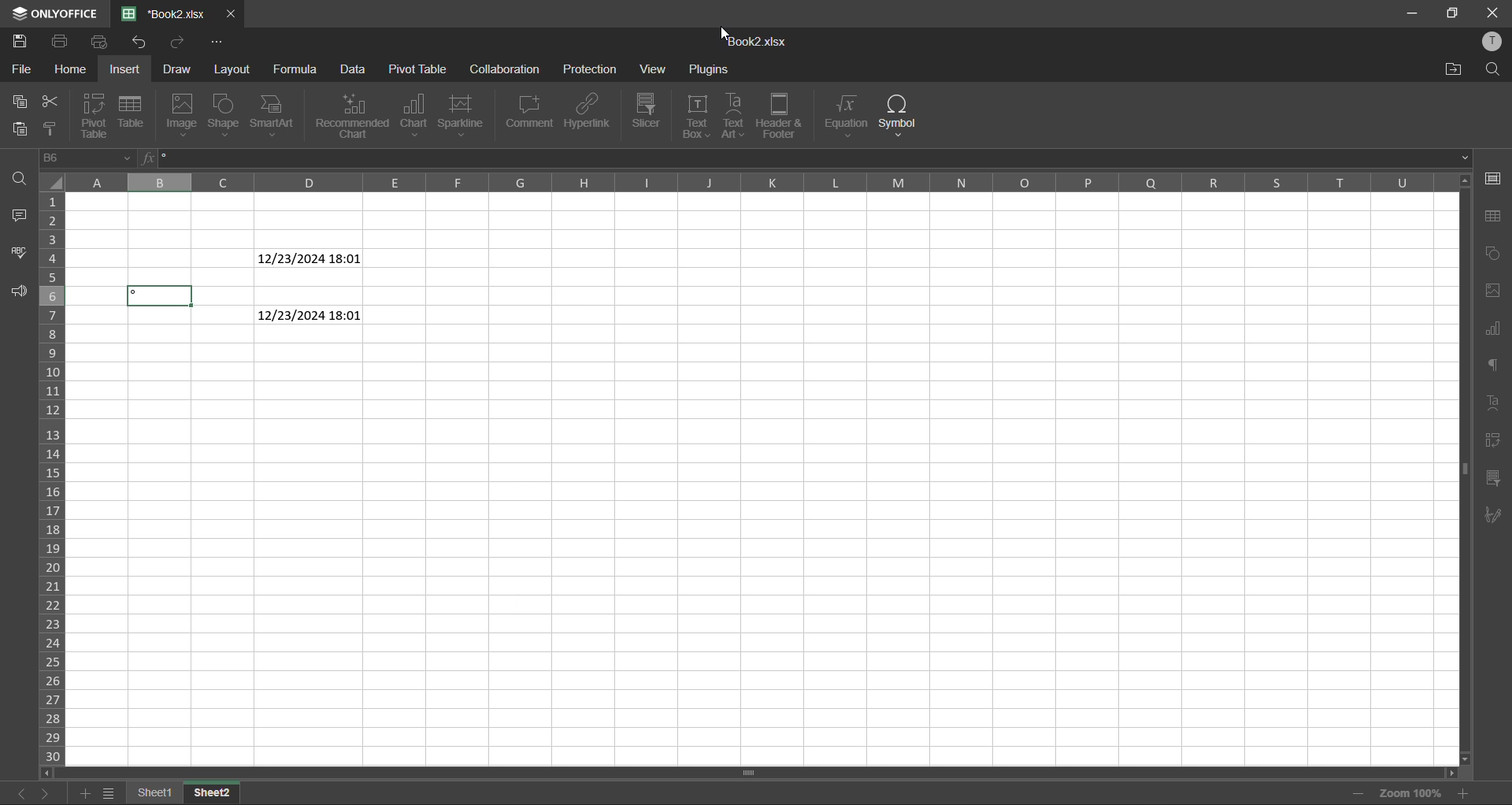  What do you see at coordinates (416, 116) in the screenshot?
I see `chart` at bounding box center [416, 116].